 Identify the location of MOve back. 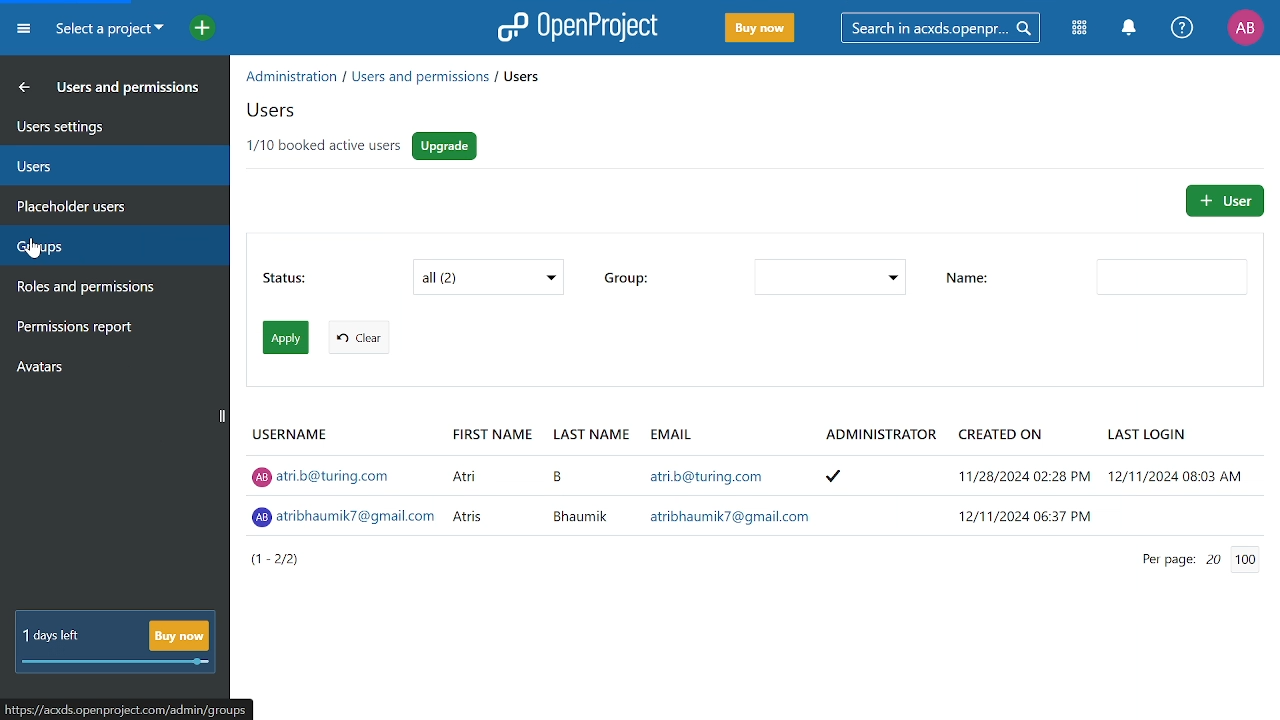
(20, 86).